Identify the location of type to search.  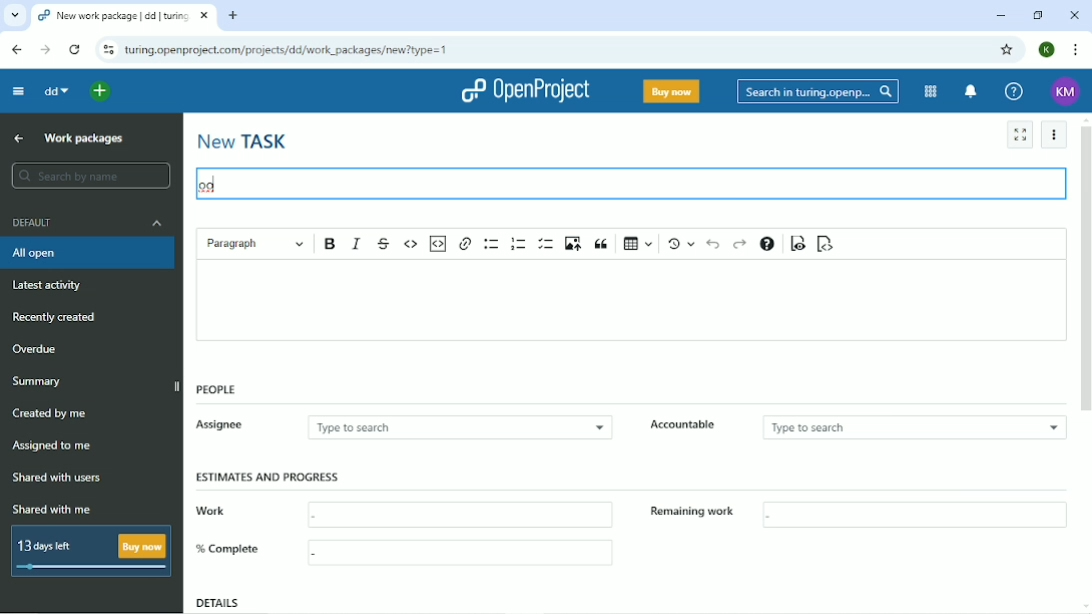
(921, 428).